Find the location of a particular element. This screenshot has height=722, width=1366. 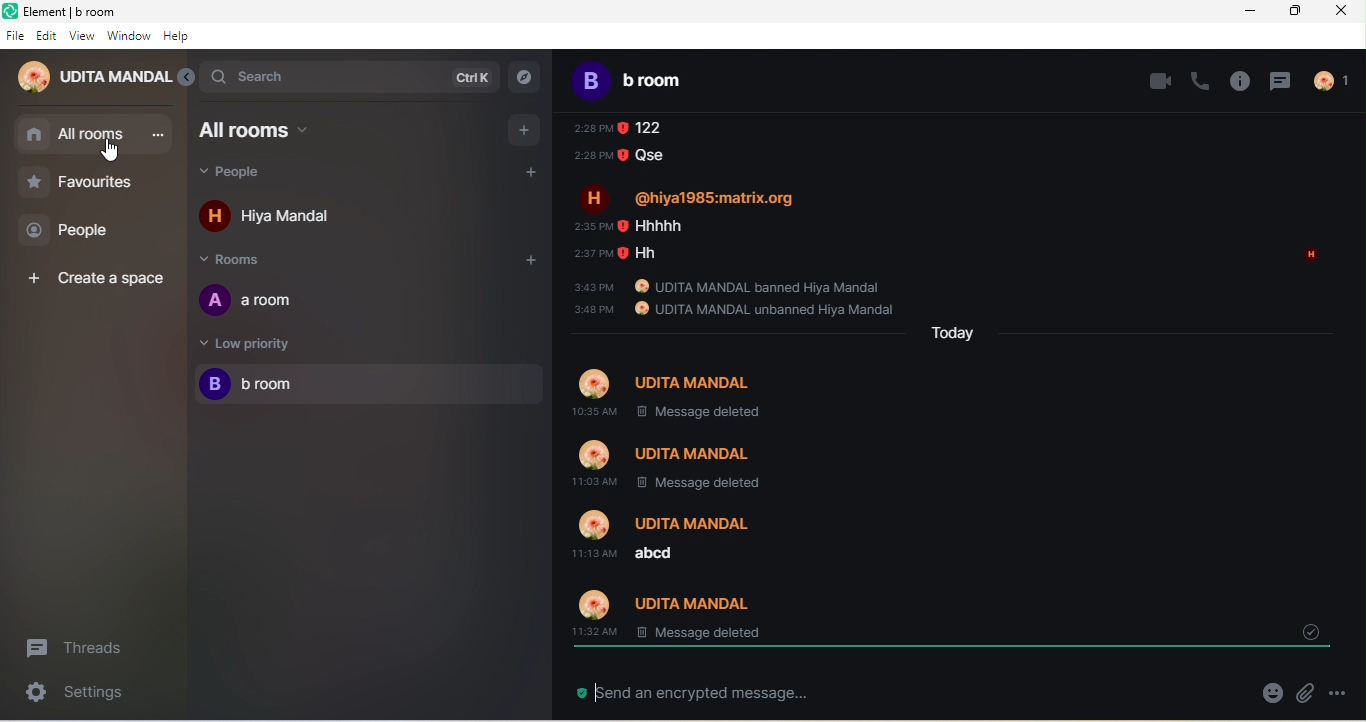

Element| b room is located at coordinates (93, 11).